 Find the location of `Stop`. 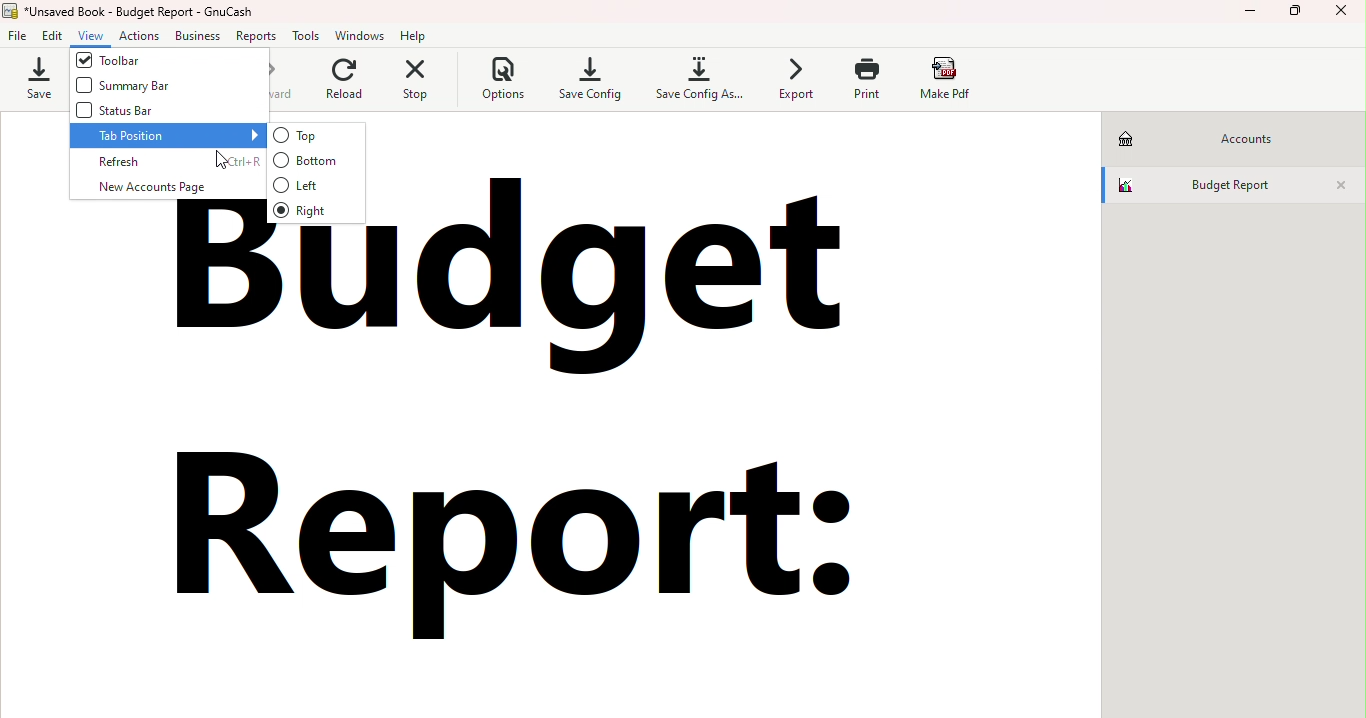

Stop is located at coordinates (414, 81).